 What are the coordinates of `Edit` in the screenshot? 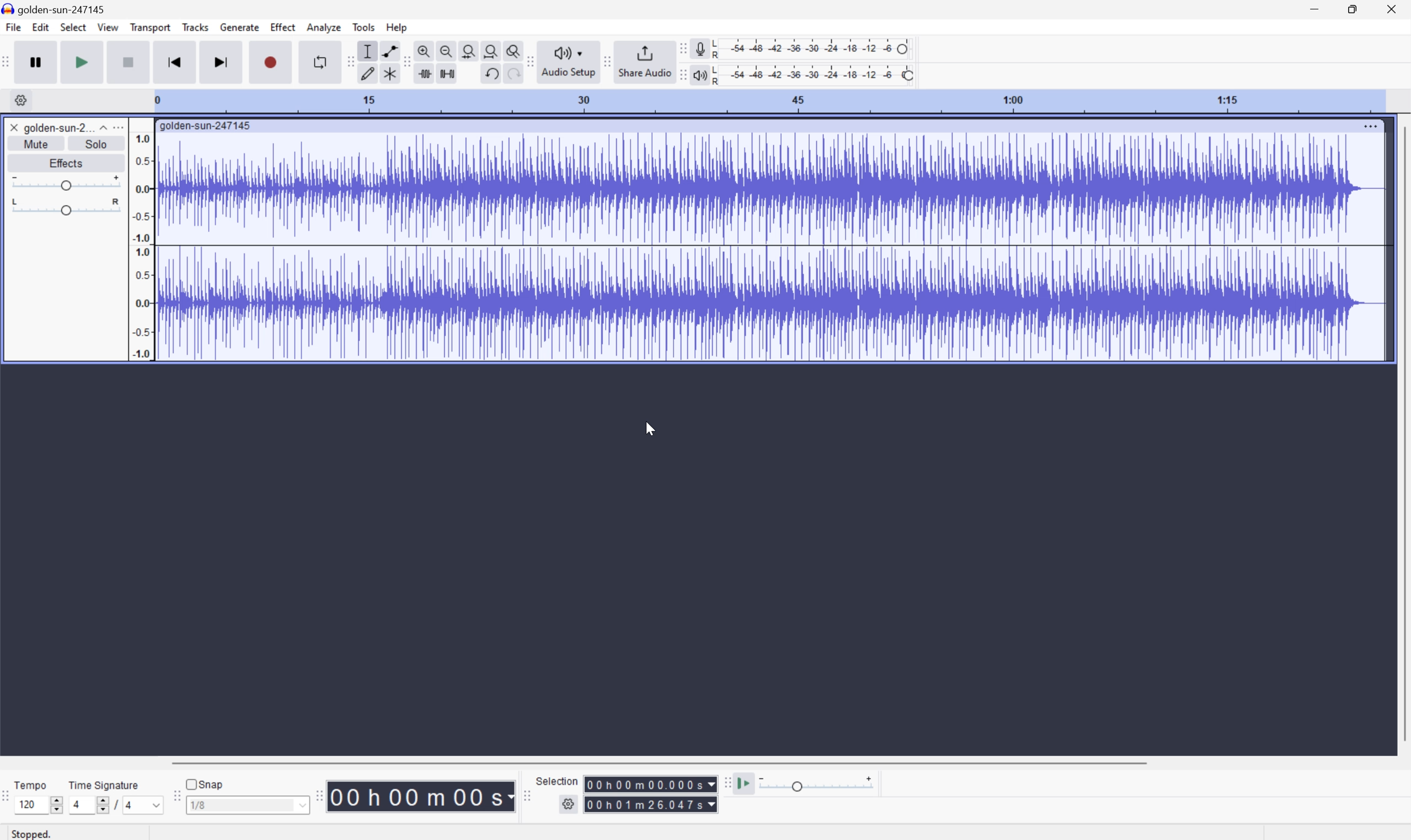 It's located at (41, 27).